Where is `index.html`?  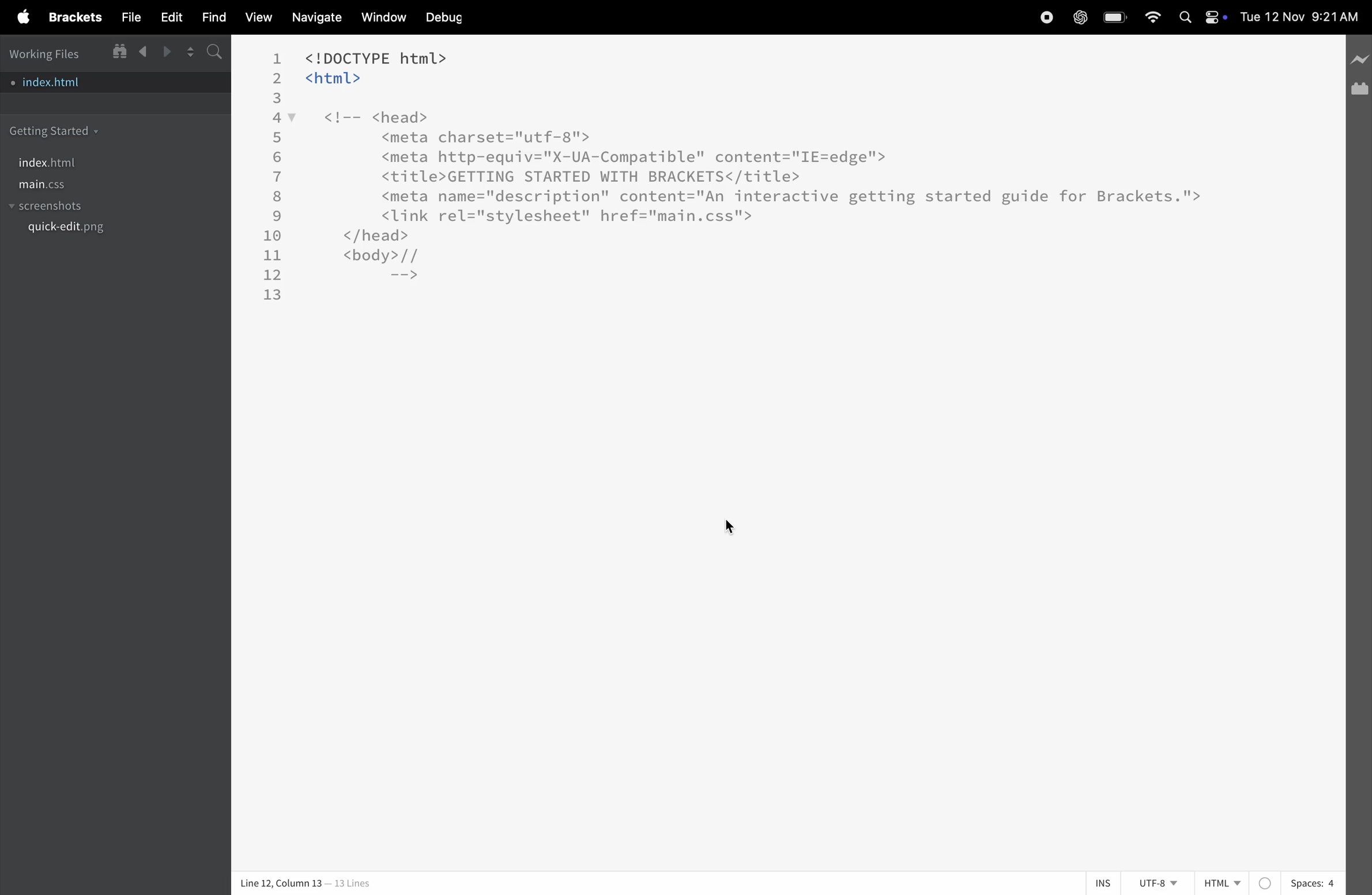 index.html is located at coordinates (66, 160).